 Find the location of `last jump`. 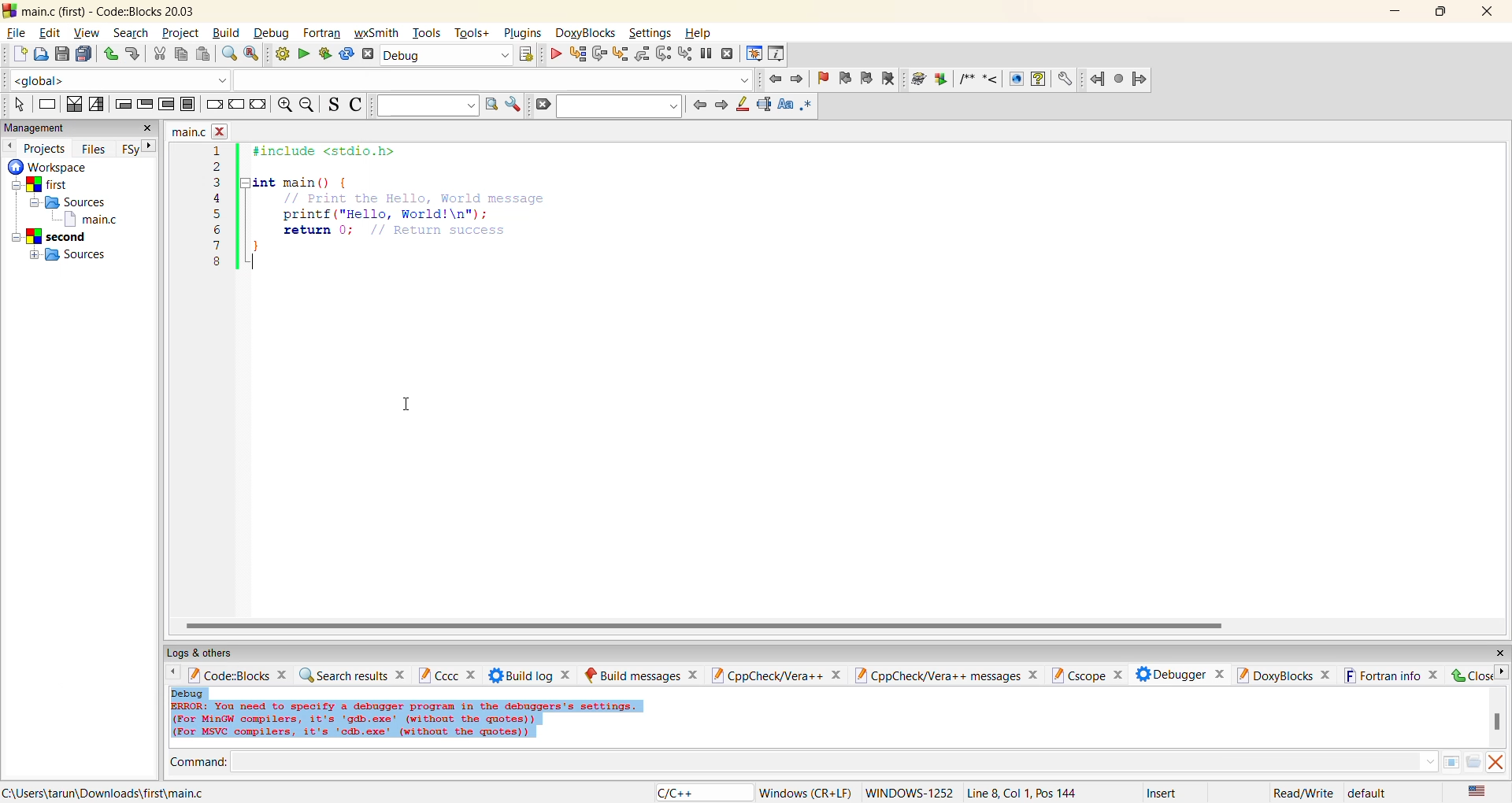

last jump is located at coordinates (1118, 78).